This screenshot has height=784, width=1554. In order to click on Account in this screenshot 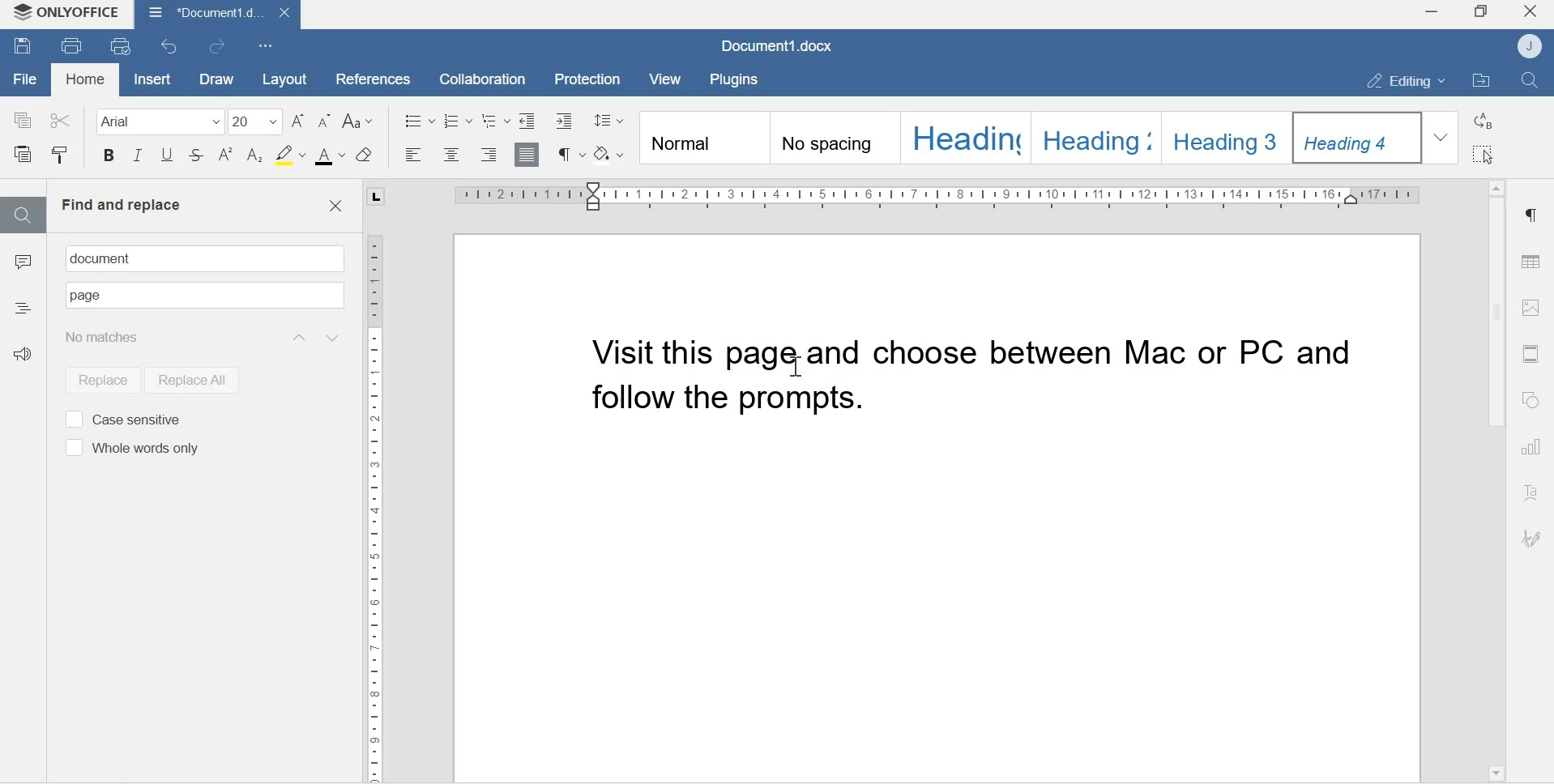, I will do `click(1532, 46)`.